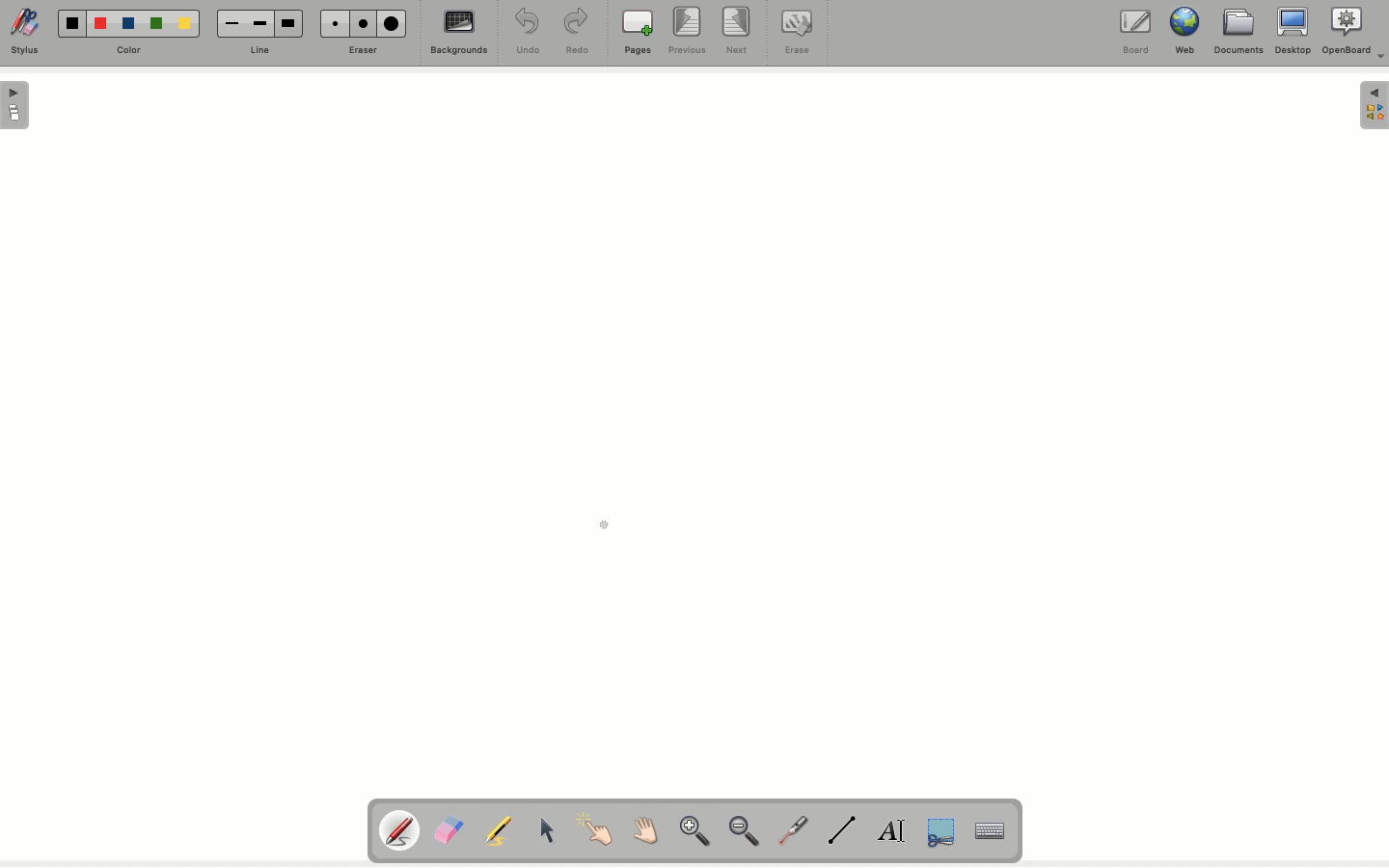 The image size is (1389, 868). What do you see at coordinates (502, 830) in the screenshot?
I see `Highlighter` at bounding box center [502, 830].